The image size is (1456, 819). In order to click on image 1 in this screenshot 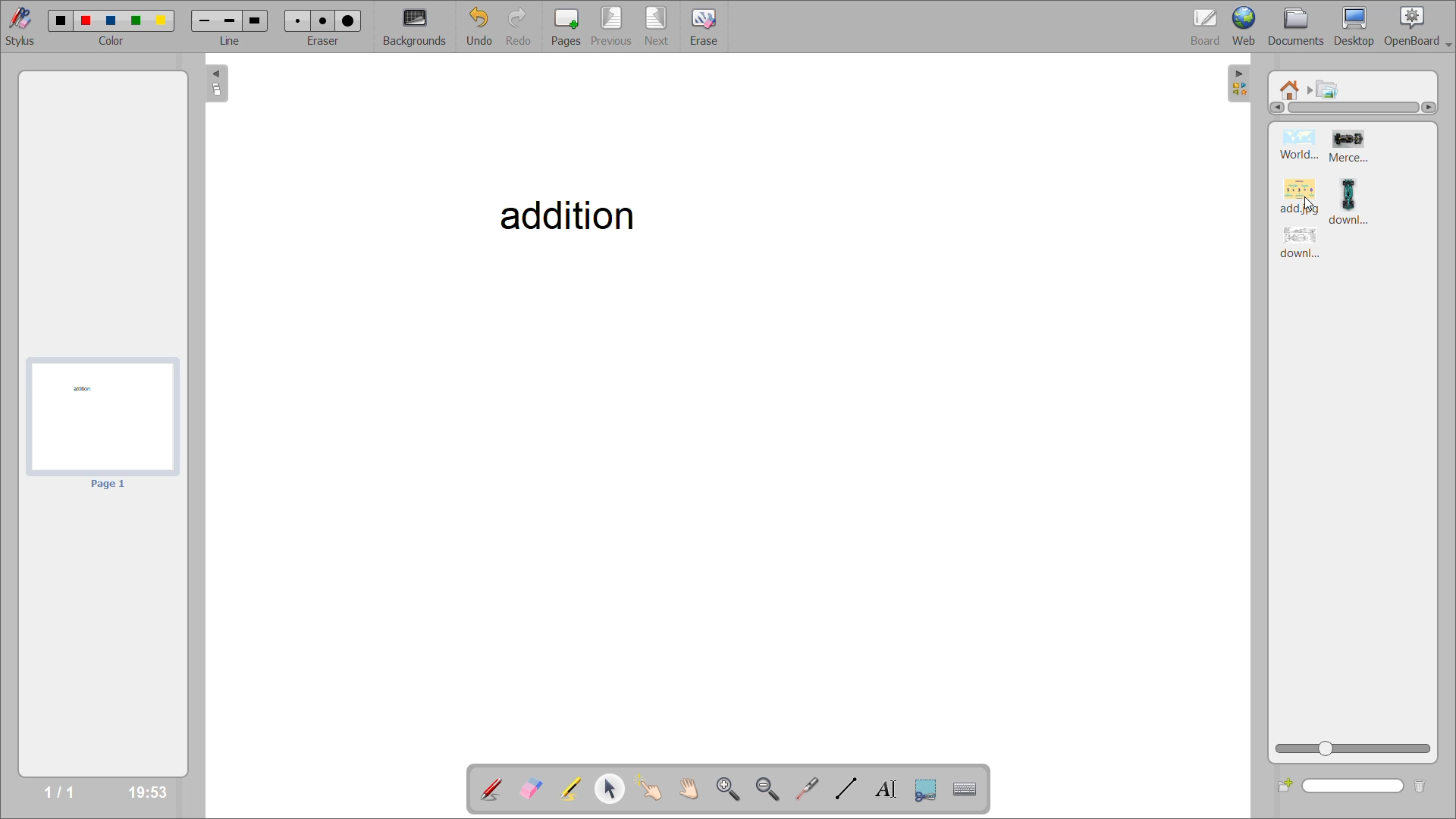, I will do `click(1300, 146)`.